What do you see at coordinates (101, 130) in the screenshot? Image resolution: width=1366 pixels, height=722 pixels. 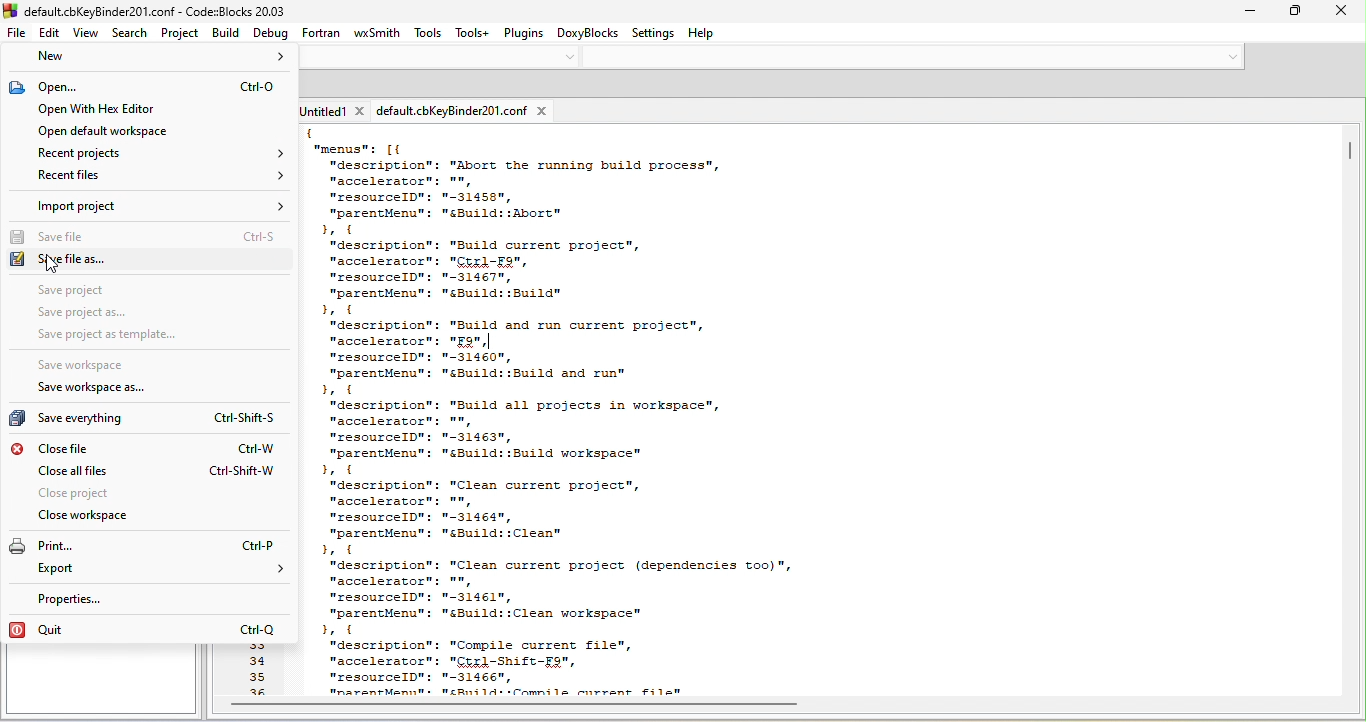 I see `open default workspace` at bounding box center [101, 130].